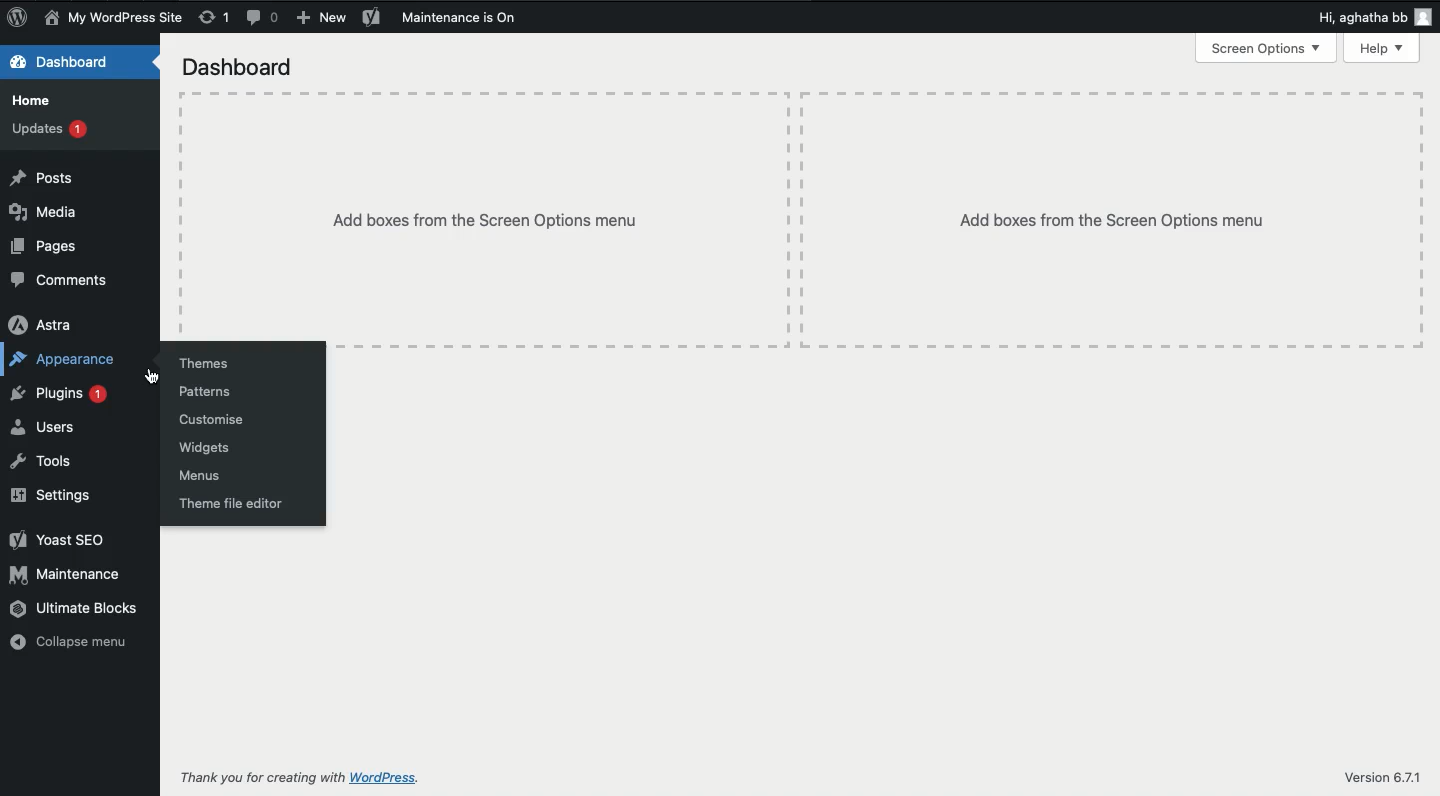 This screenshot has width=1440, height=796. What do you see at coordinates (266, 18) in the screenshot?
I see `Comments` at bounding box center [266, 18].